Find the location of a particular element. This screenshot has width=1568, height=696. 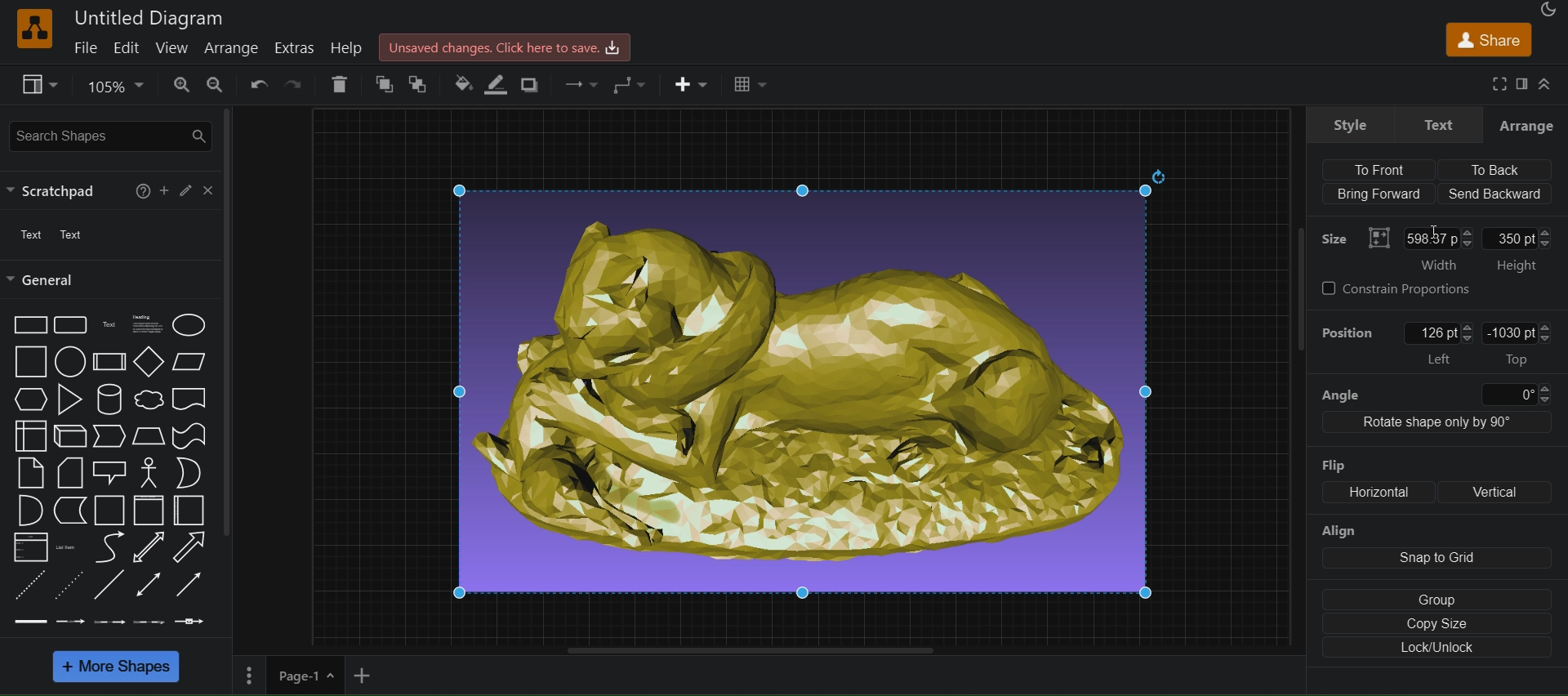

help is located at coordinates (140, 190).